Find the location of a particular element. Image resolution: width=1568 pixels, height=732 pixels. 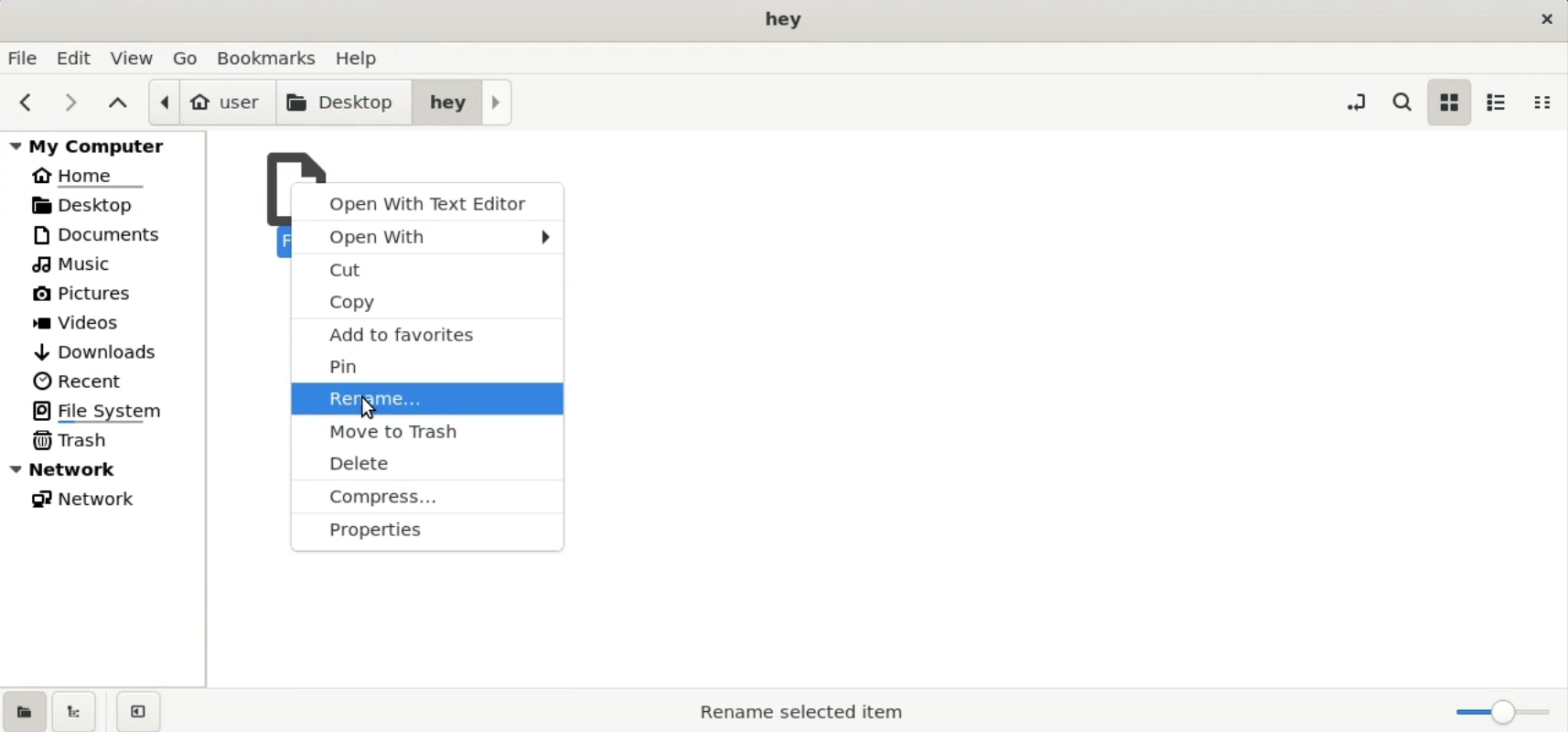

delete is located at coordinates (424, 464).